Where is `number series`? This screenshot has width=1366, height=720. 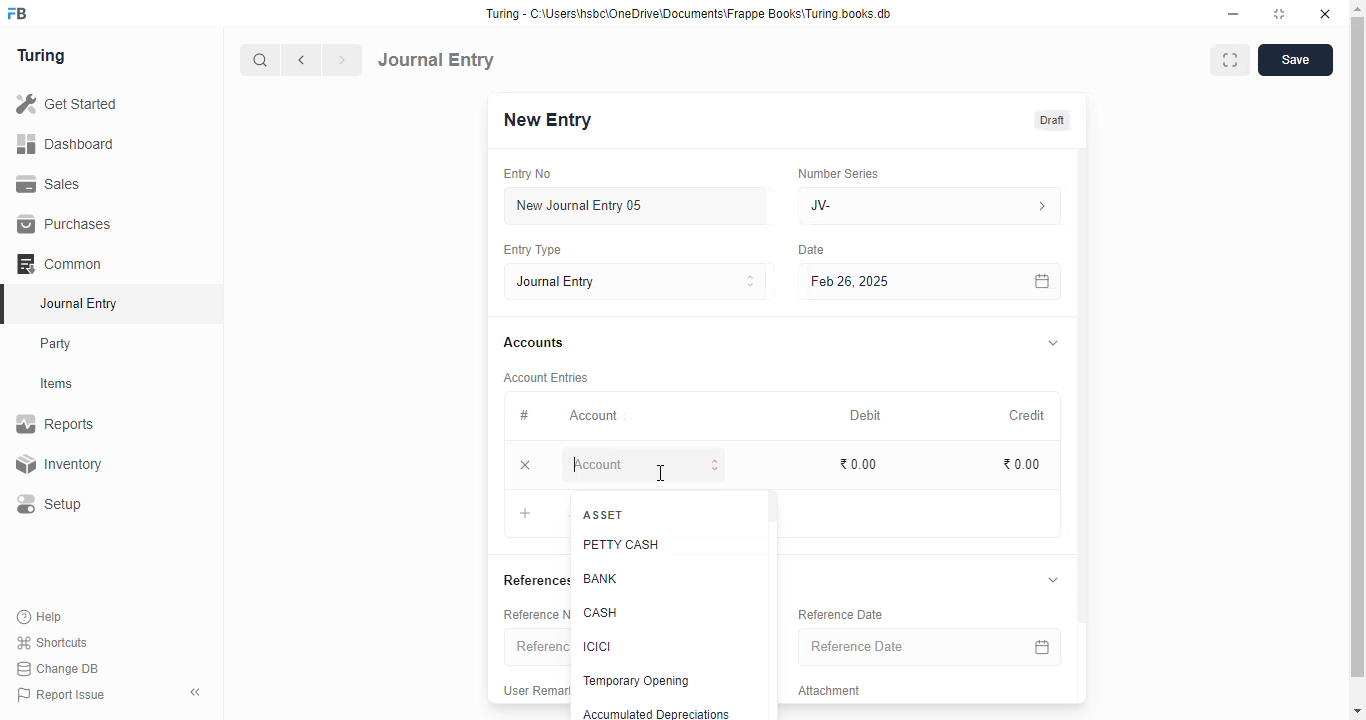
number series is located at coordinates (839, 173).